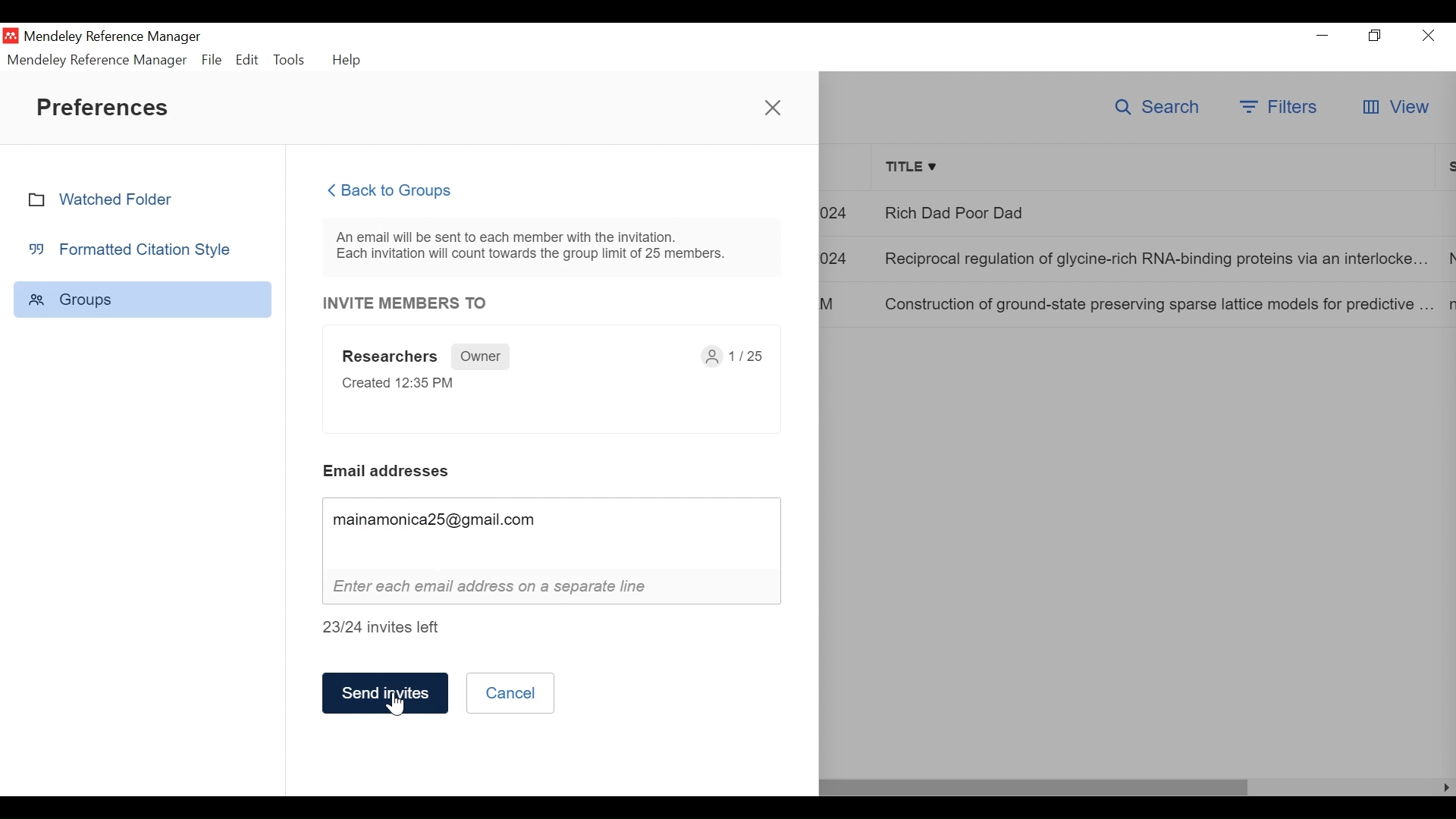  Describe the element at coordinates (108, 199) in the screenshot. I see `Watched Folder` at that location.